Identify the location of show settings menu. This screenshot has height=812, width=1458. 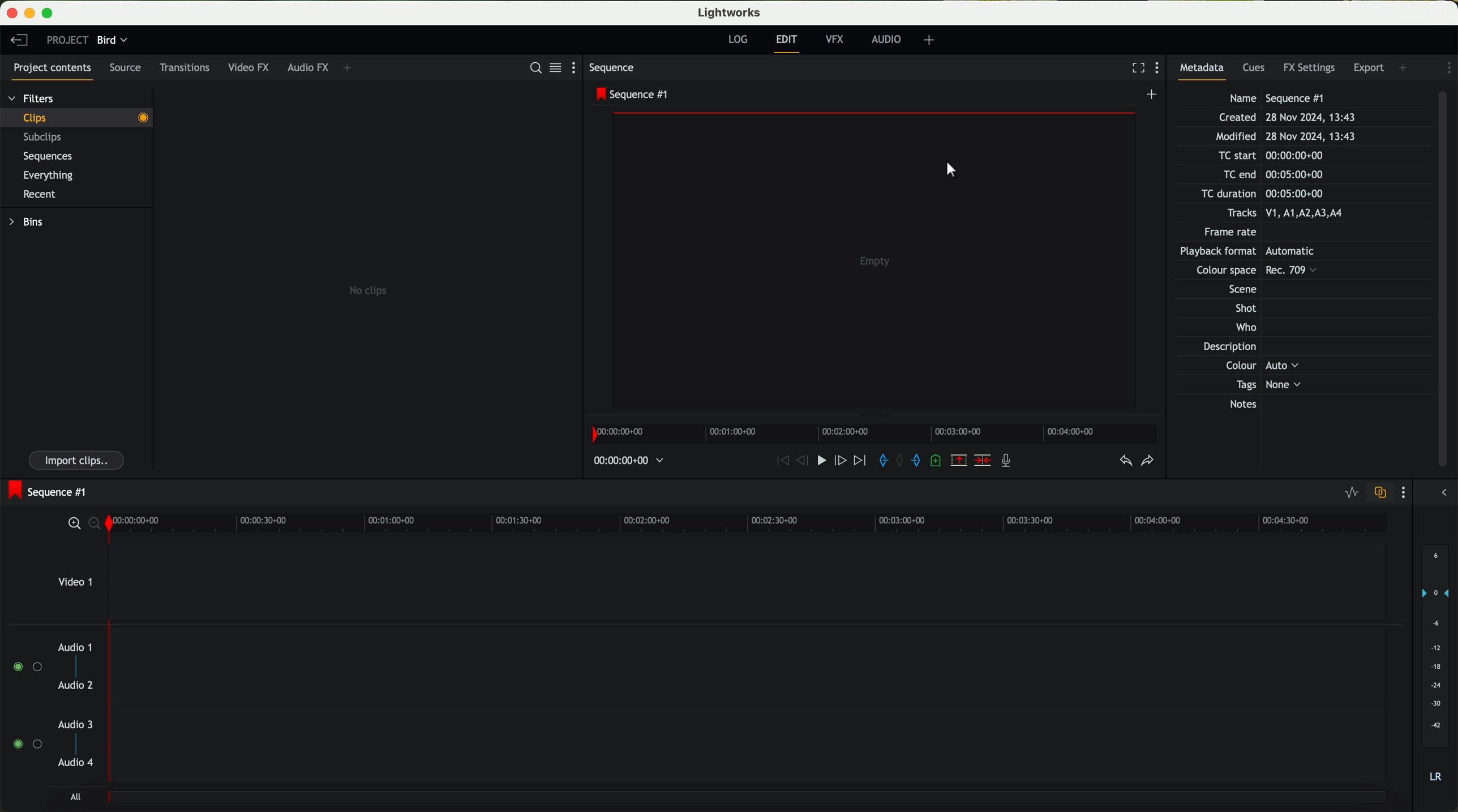
(571, 67).